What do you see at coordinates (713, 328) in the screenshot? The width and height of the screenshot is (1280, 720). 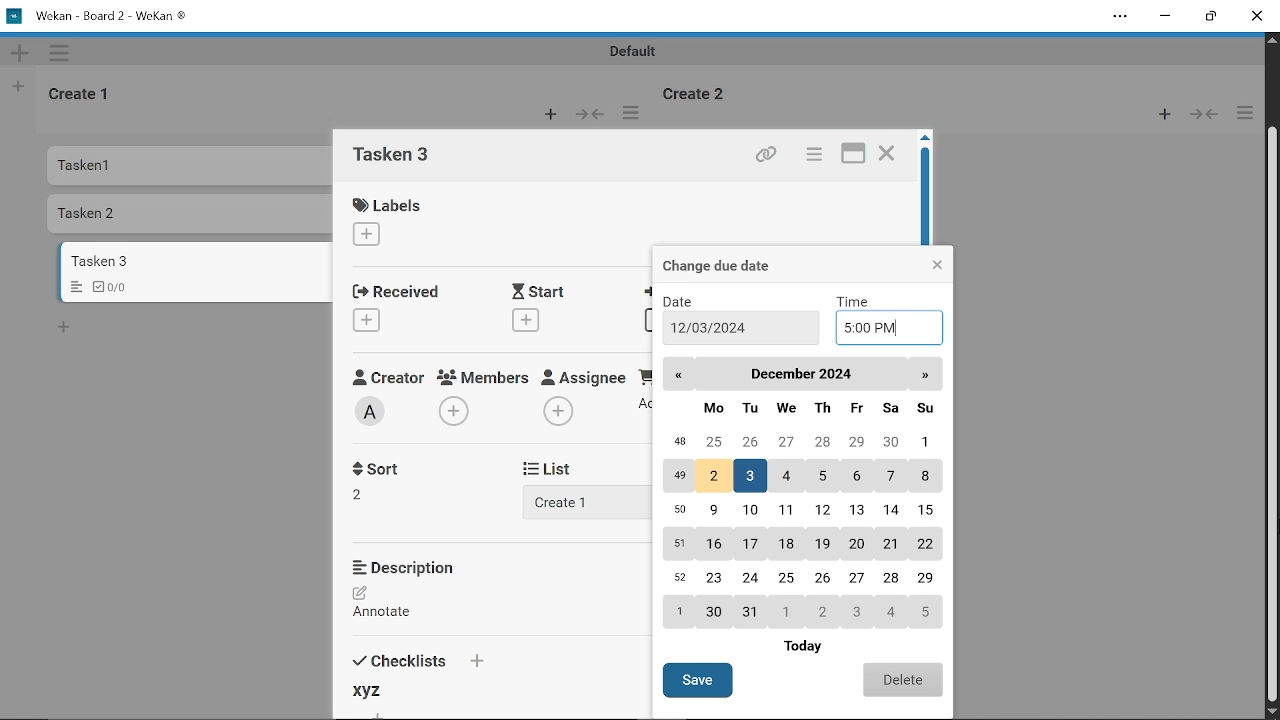 I see `12/03/2024` at bounding box center [713, 328].